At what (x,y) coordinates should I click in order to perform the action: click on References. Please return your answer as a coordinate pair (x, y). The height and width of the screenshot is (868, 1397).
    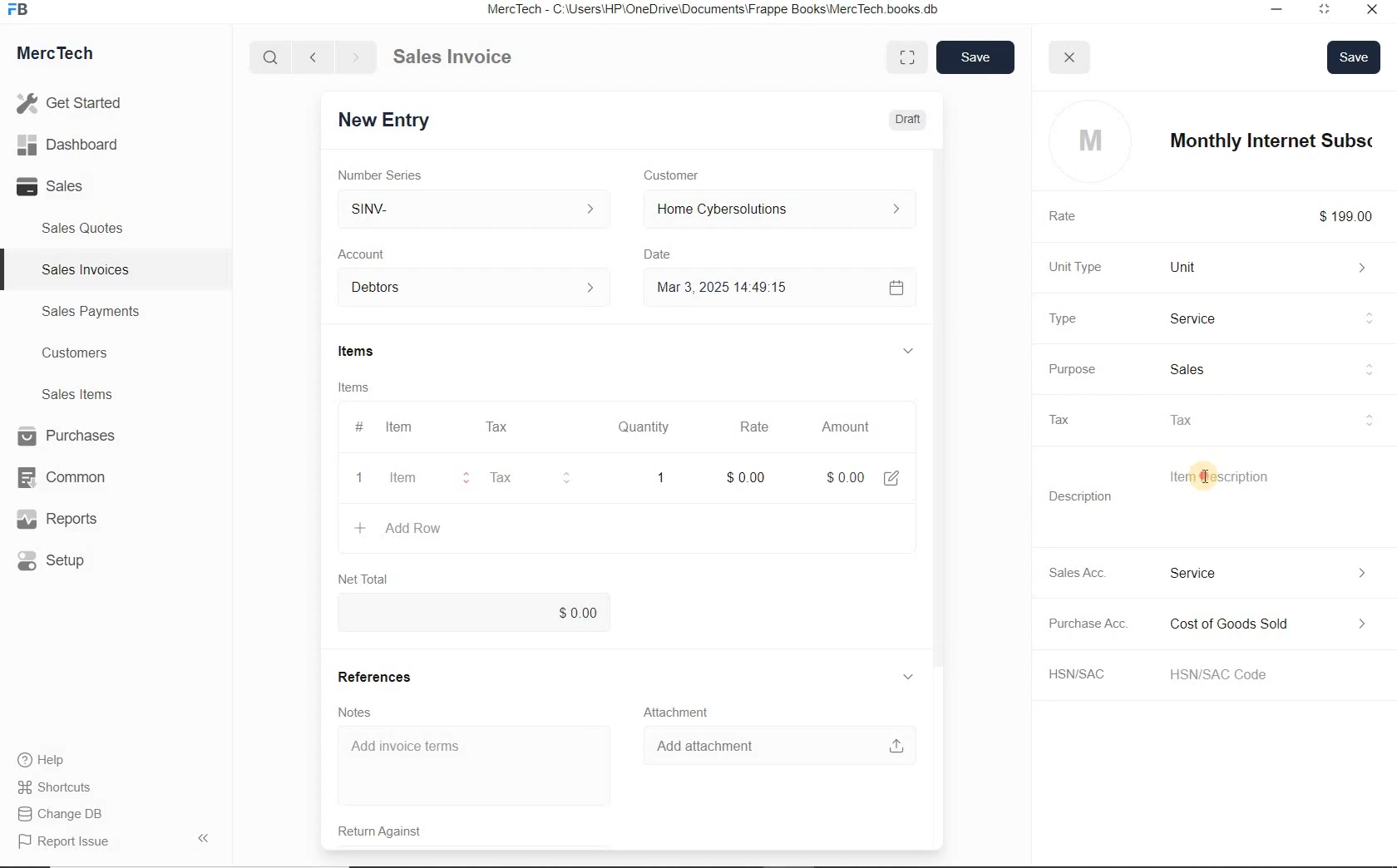
    Looking at the image, I should click on (378, 675).